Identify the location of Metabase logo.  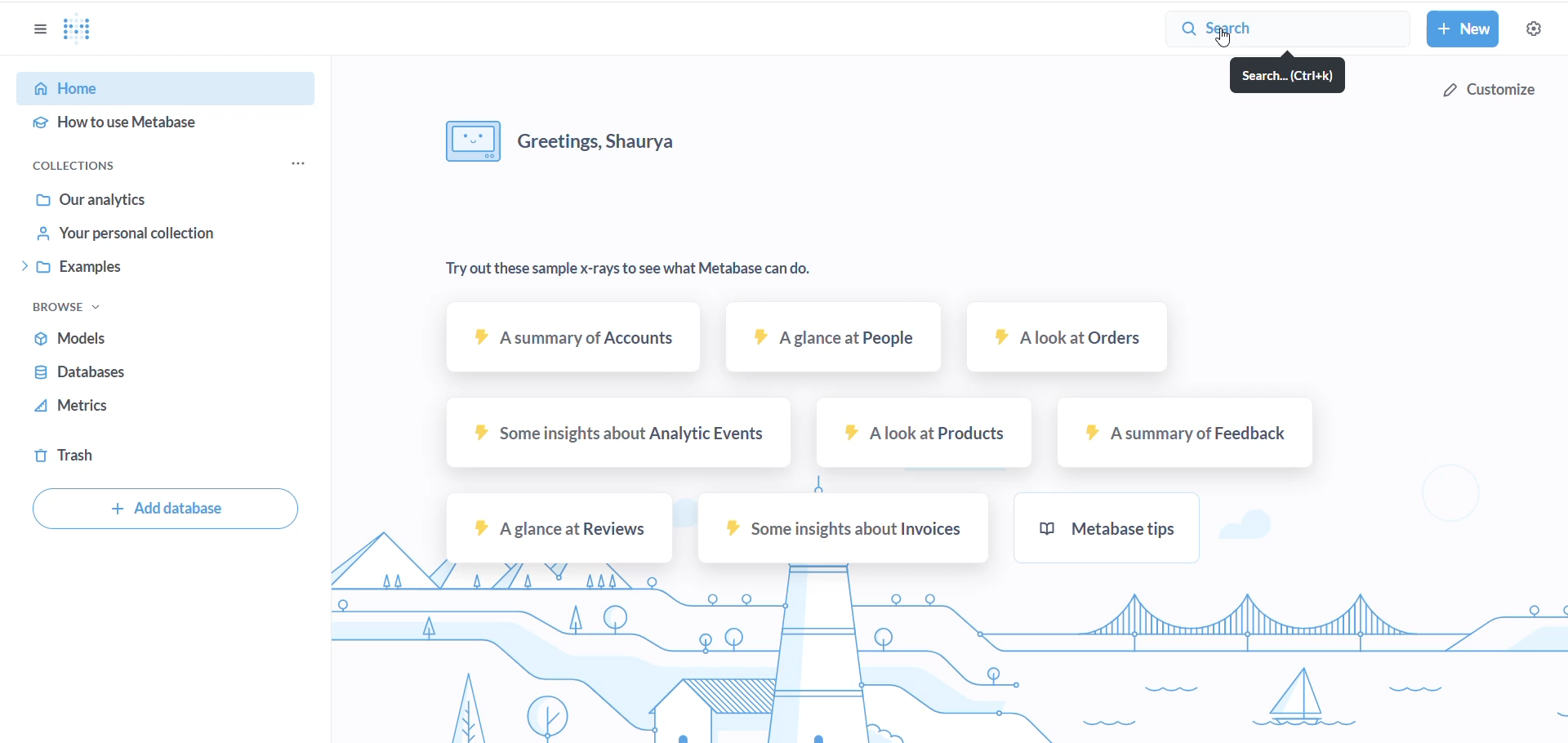
(87, 29).